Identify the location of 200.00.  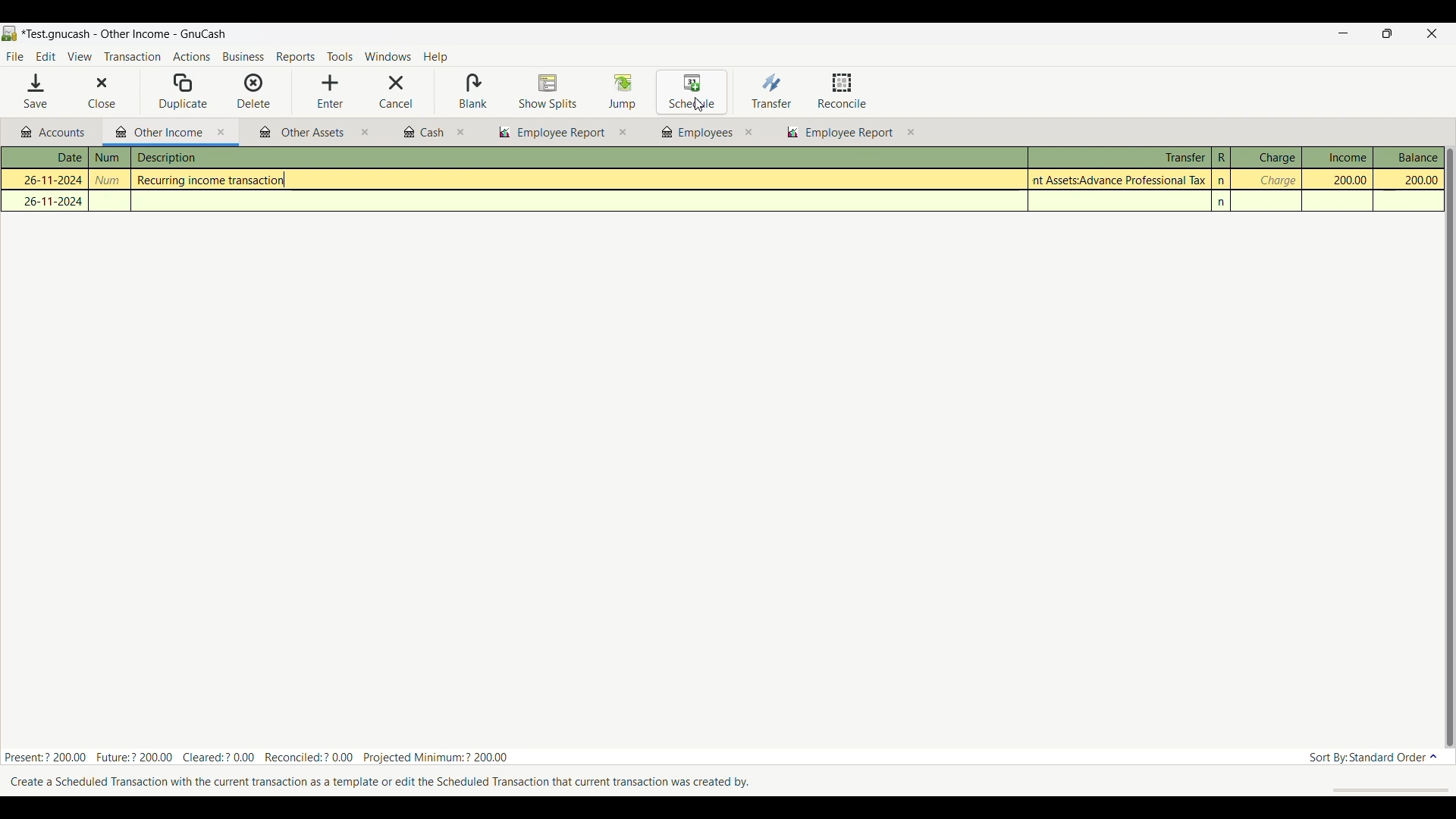
(1409, 180).